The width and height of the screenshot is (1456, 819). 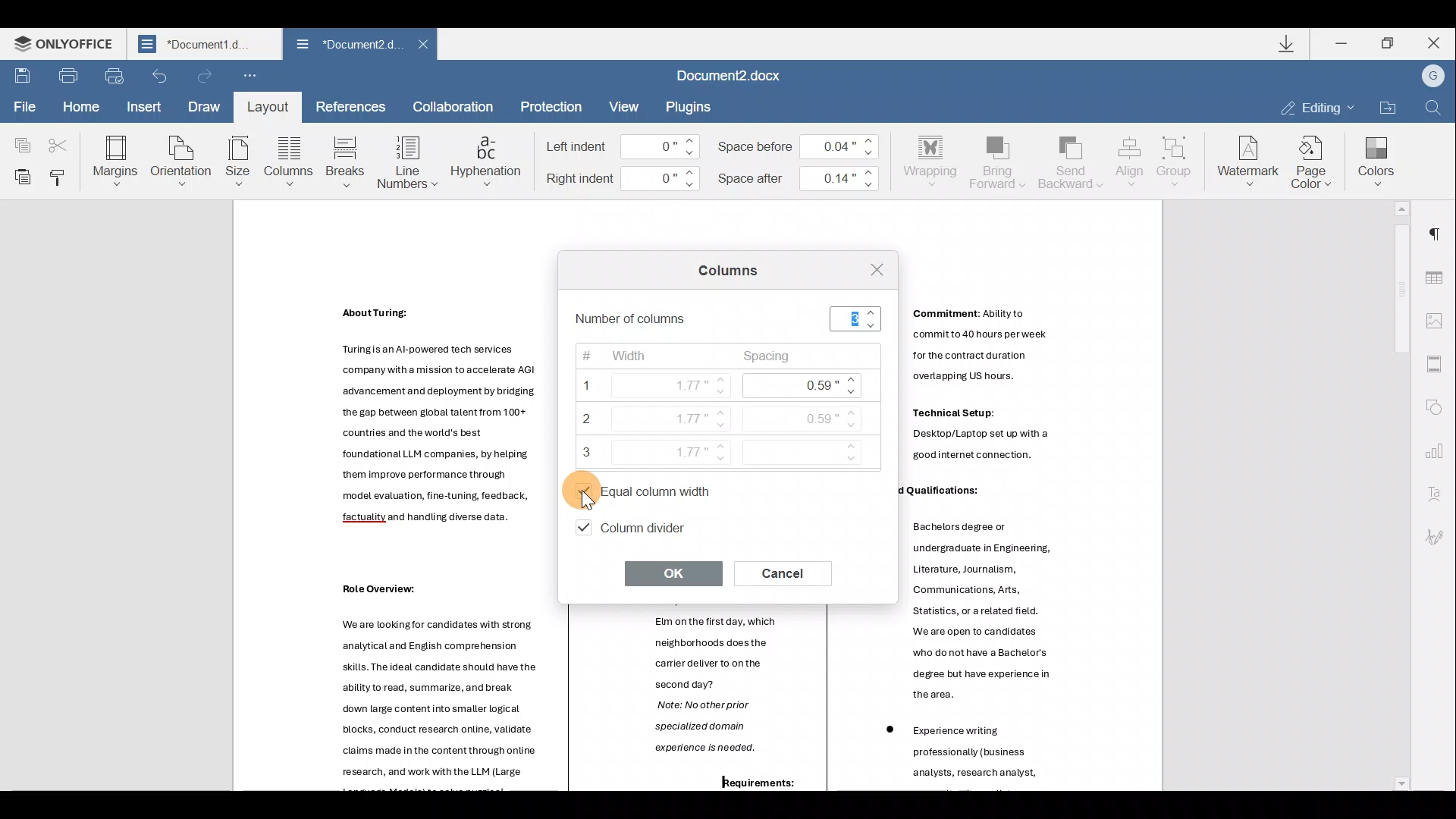 What do you see at coordinates (1130, 160) in the screenshot?
I see `Align` at bounding box center [1130, 160].